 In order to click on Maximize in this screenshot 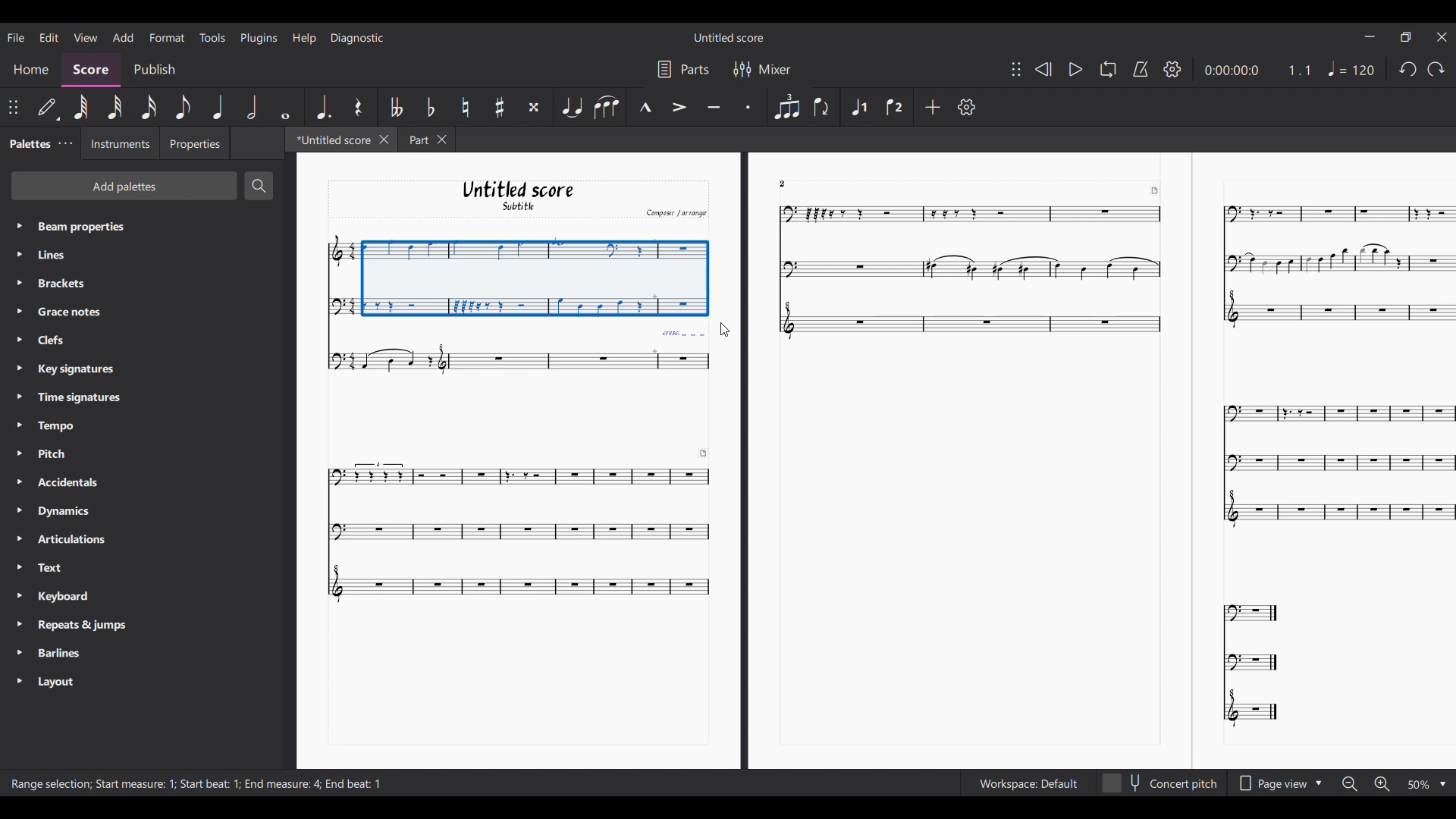, I will do `click(1406, 39)`.